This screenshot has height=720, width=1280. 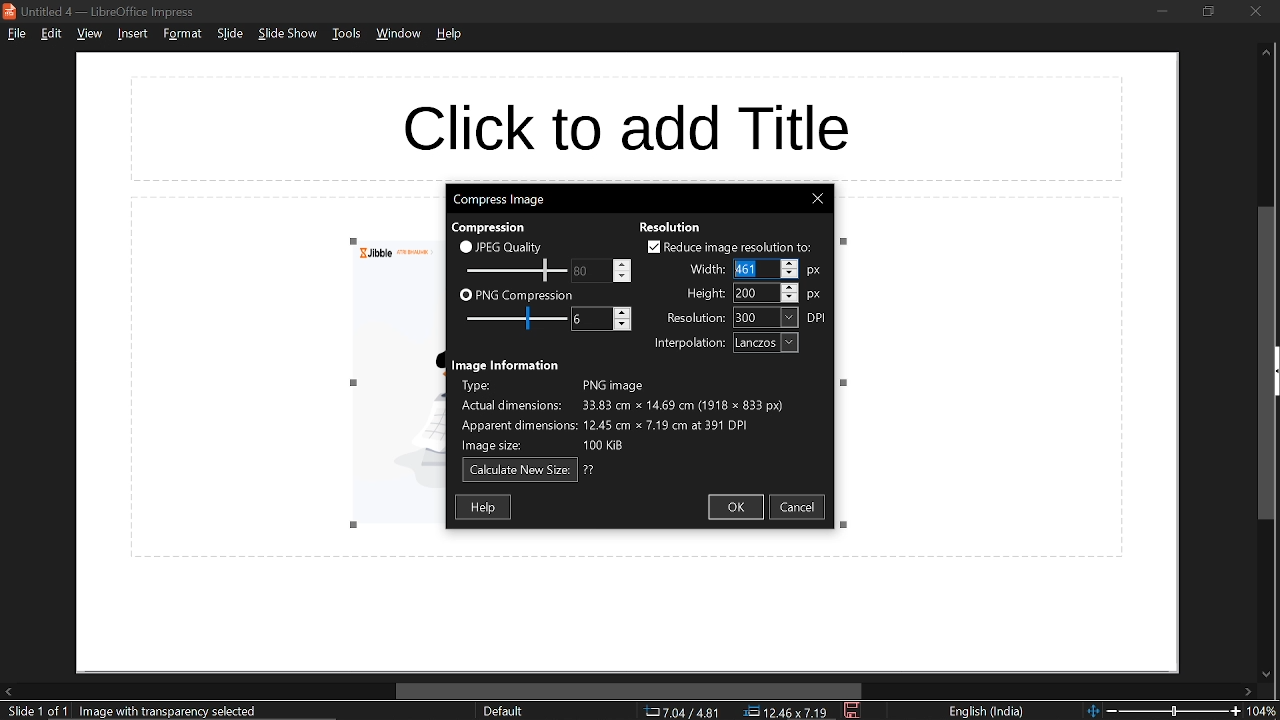 What do you see at coordinates (465, 296) in the screenshot?
I see `checkbox` at bounding box center [465, 296].